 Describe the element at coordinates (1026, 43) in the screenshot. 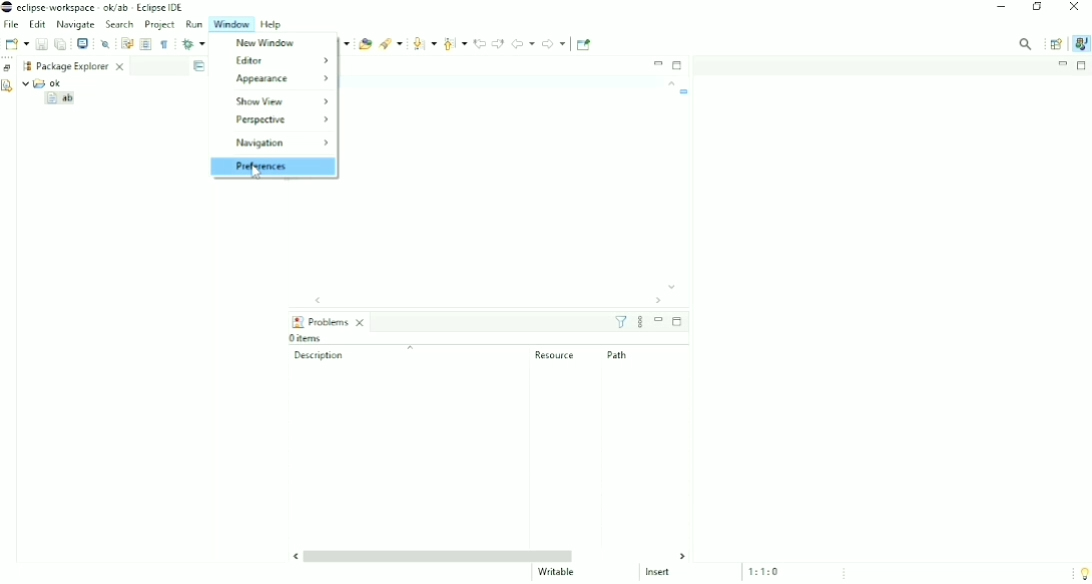

I see `Access commands and other items` at that location.